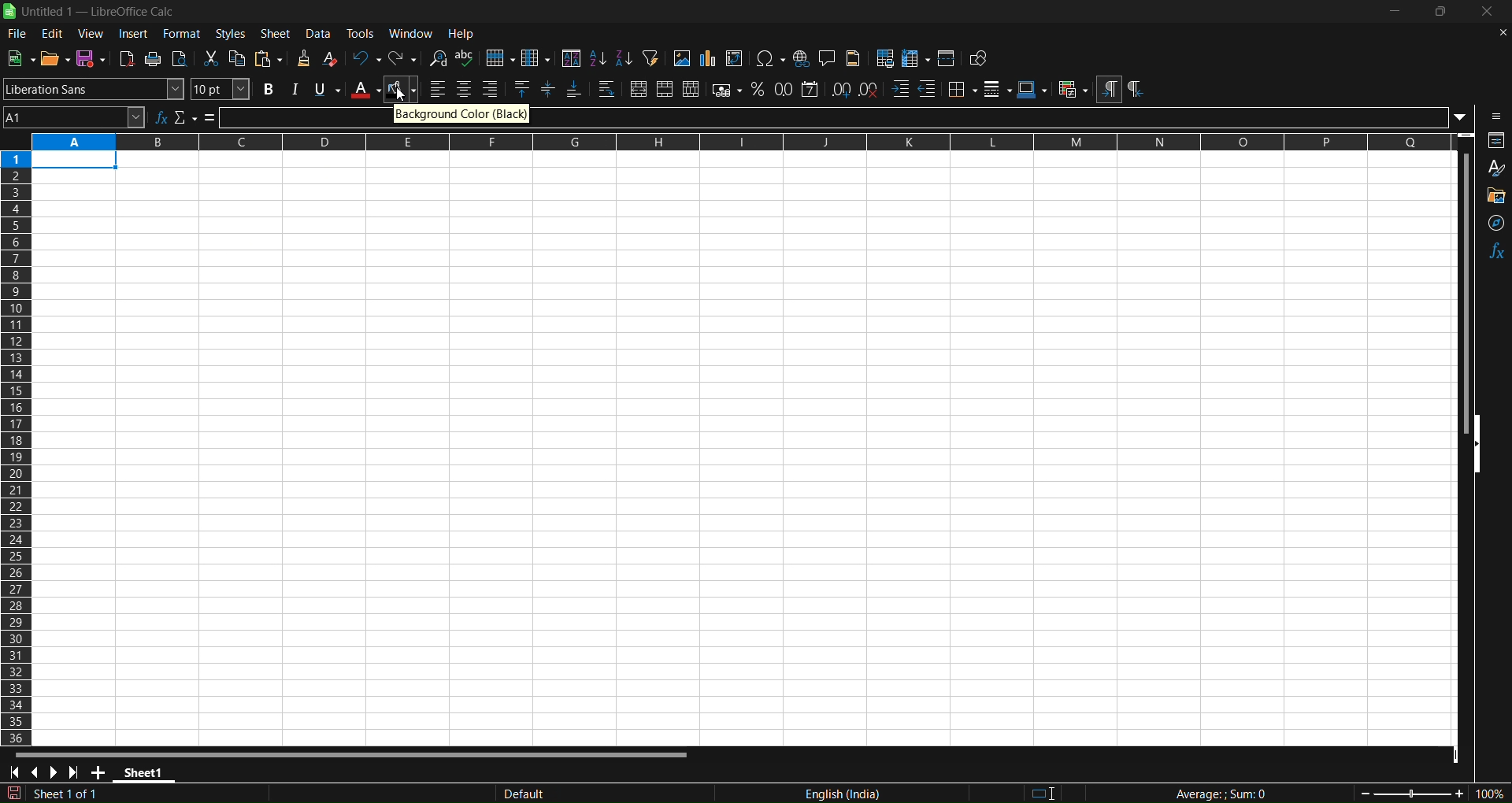 This screenshot has height=803, width=1512. Describe the element at coordinates (964, 89) in the screenshot. I see `borders` at that location.